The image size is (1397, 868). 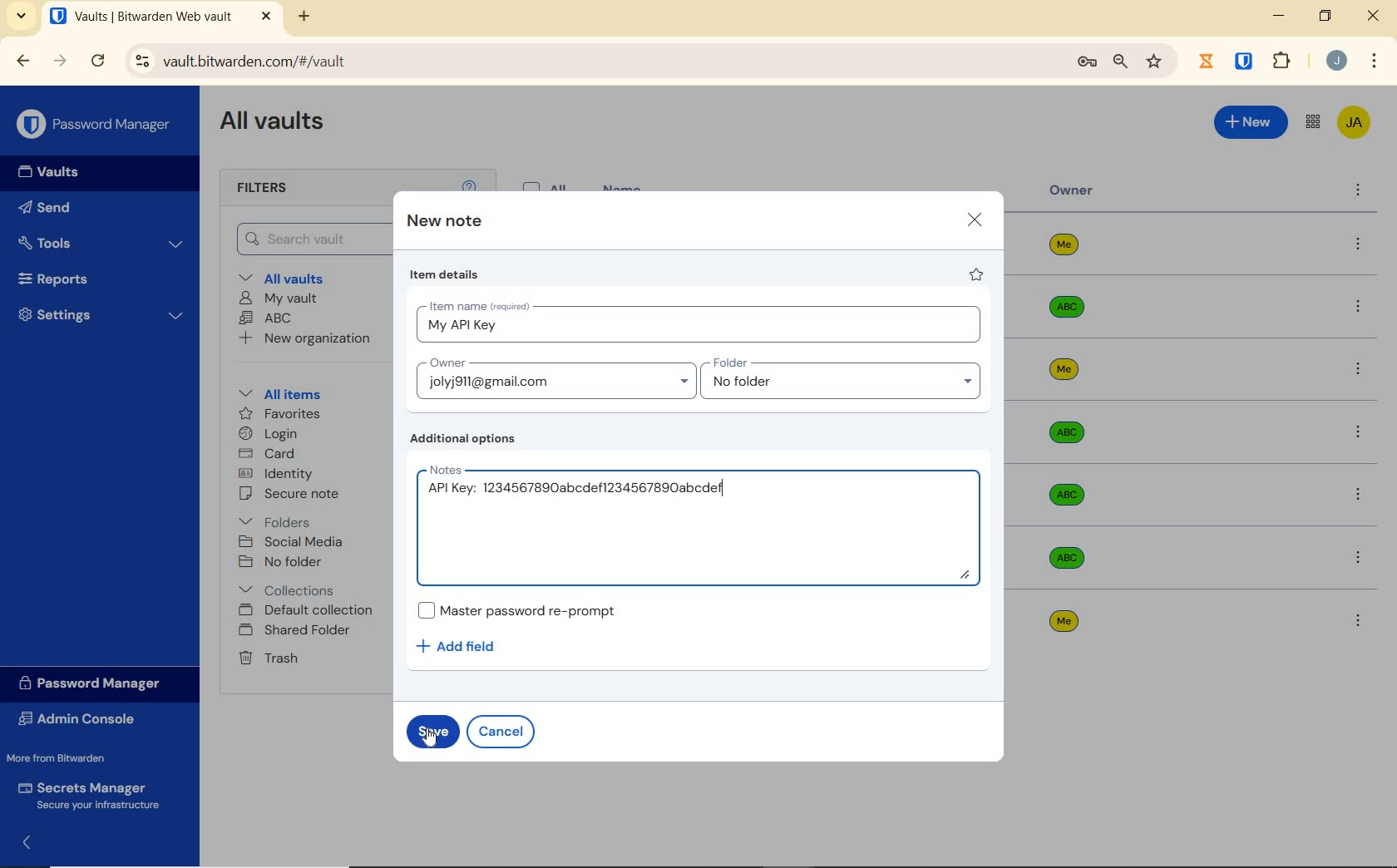 I want to click on ABC, so click(x=269, y=319).